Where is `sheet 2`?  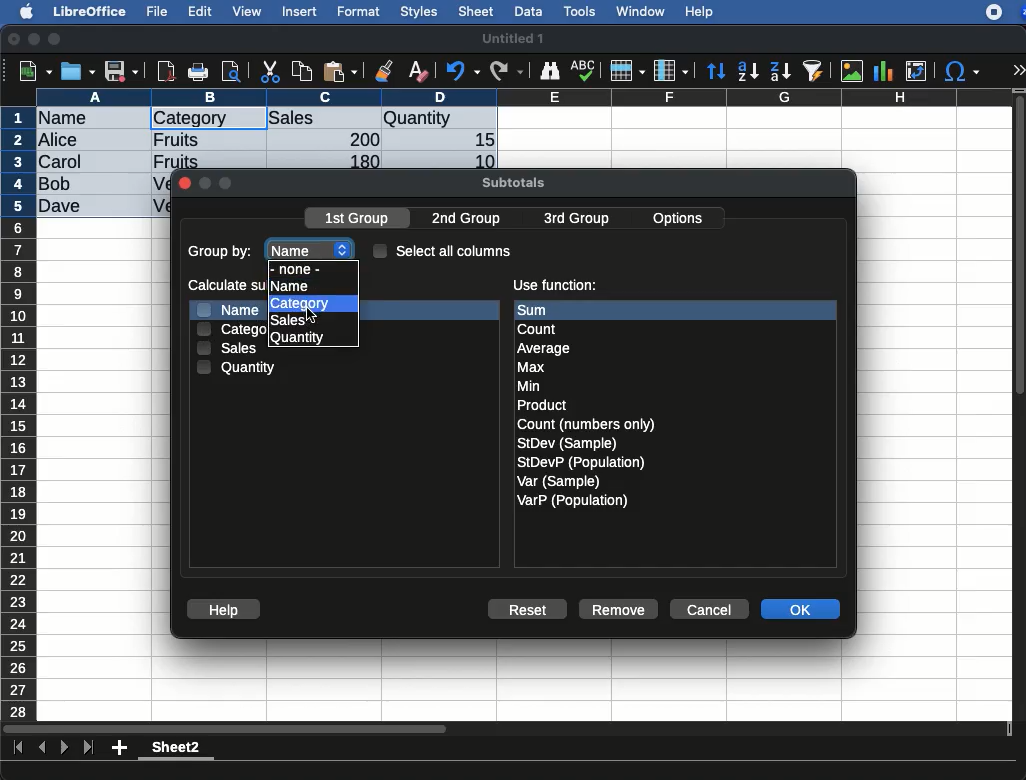 sheet 2 is located at coordinates (176, 750).